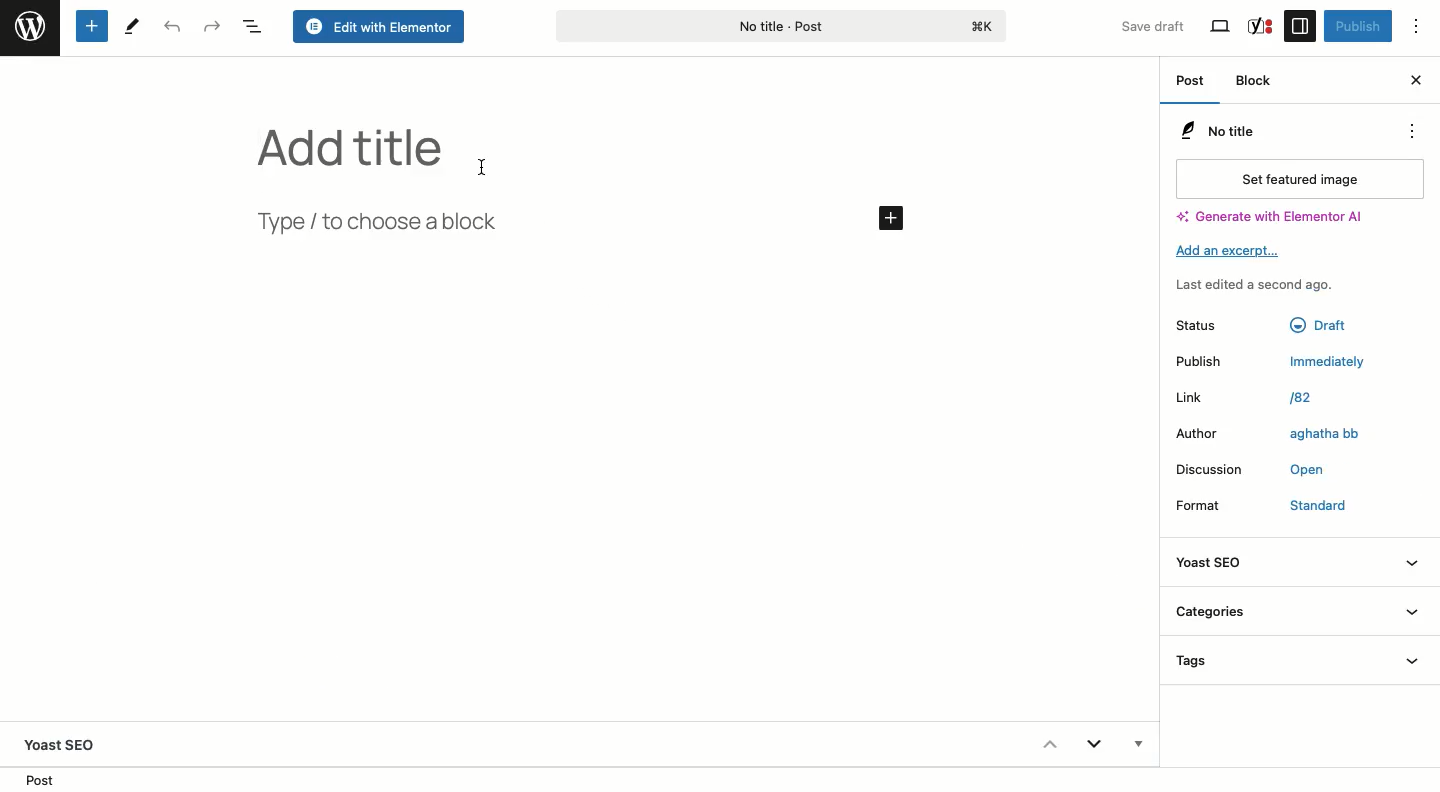  Describe the element at coordinates (1048, 744) in the screenshot. I see `Collapse` at that location.